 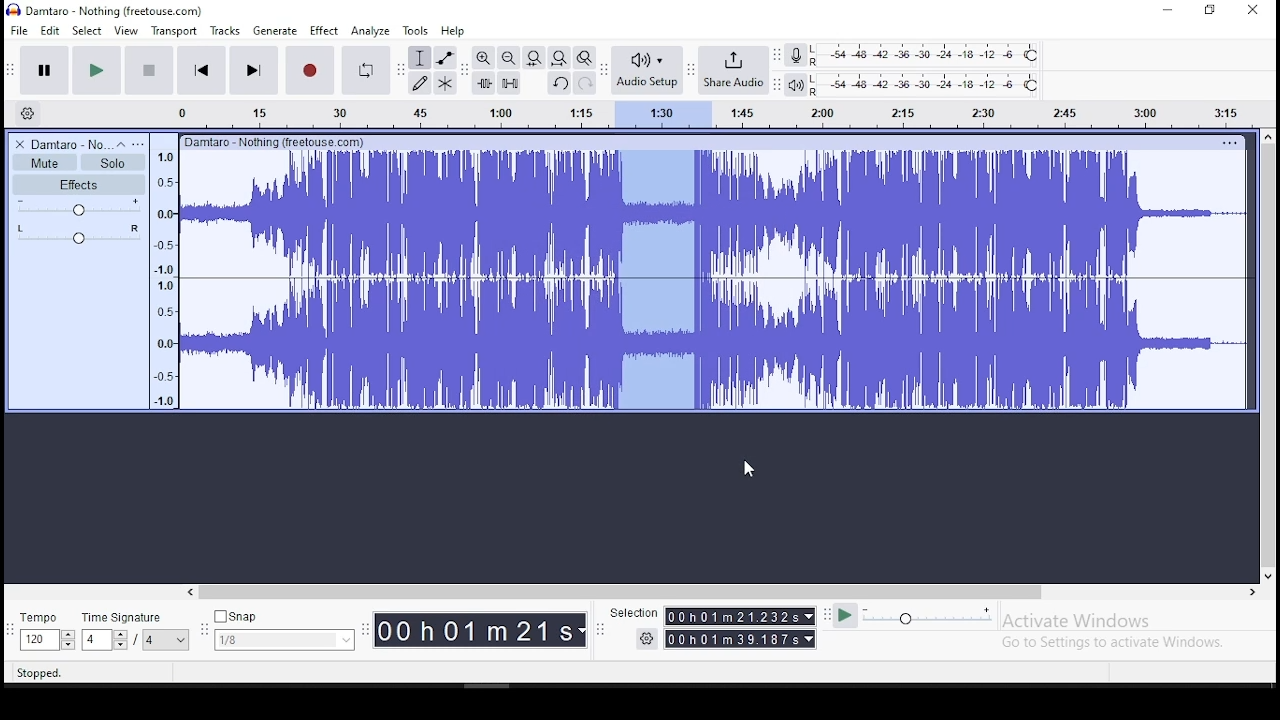 I want to click on 4, so click(x=94, y=640).